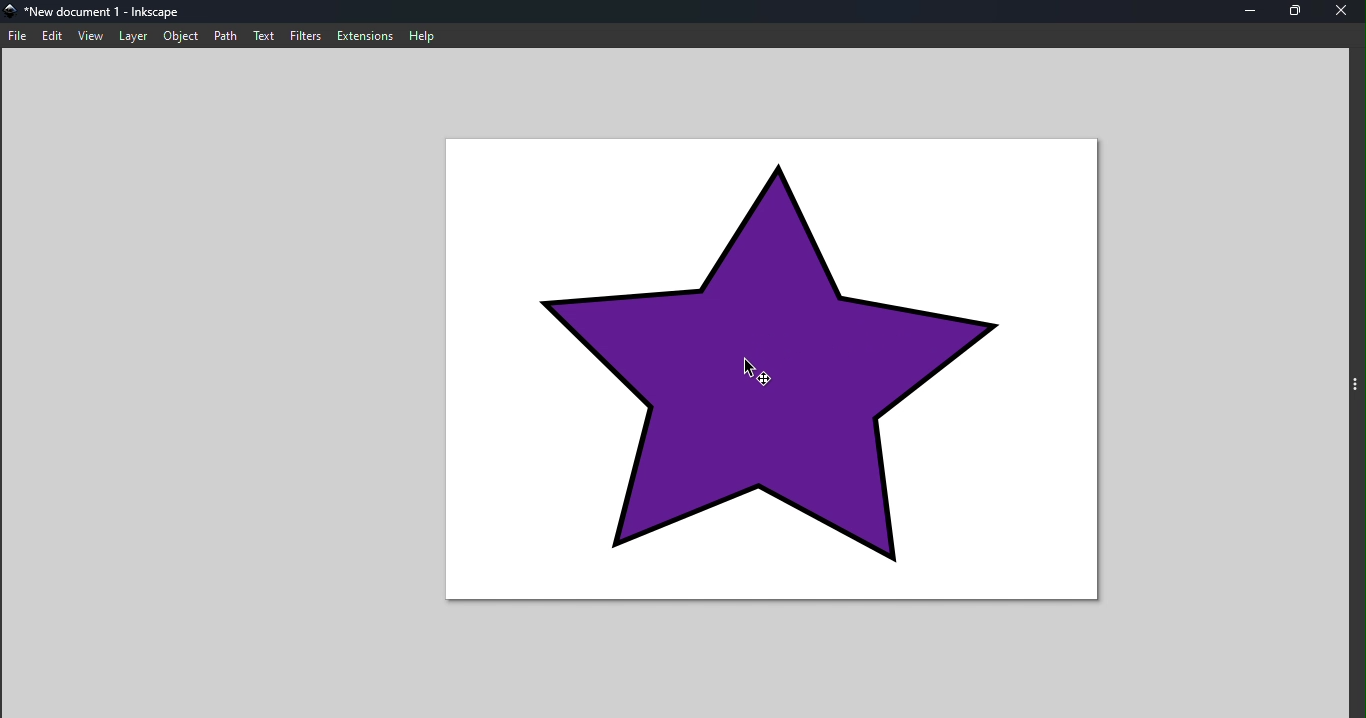 The width and height of the screenshot is (1366, 718). I want to click on Maximize, so click(1300, 14).